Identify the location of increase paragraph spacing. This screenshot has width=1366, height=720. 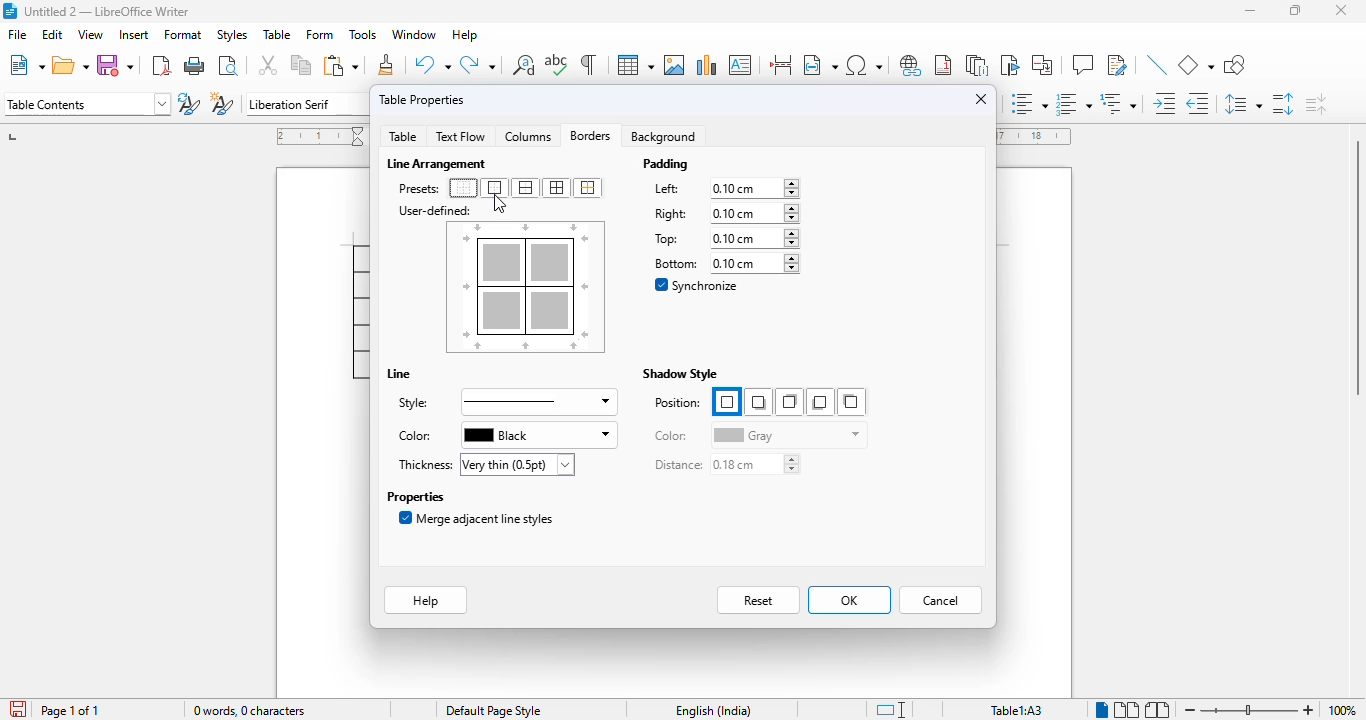
(1282, 104).